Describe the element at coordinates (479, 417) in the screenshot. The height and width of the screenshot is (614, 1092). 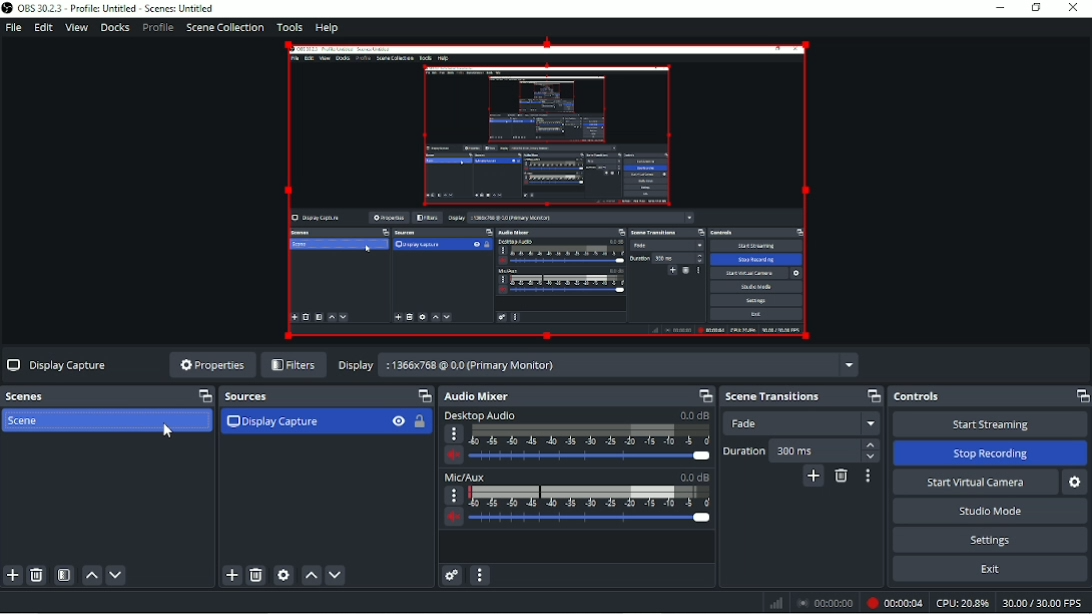
I see `Desktop Audio` at that location.